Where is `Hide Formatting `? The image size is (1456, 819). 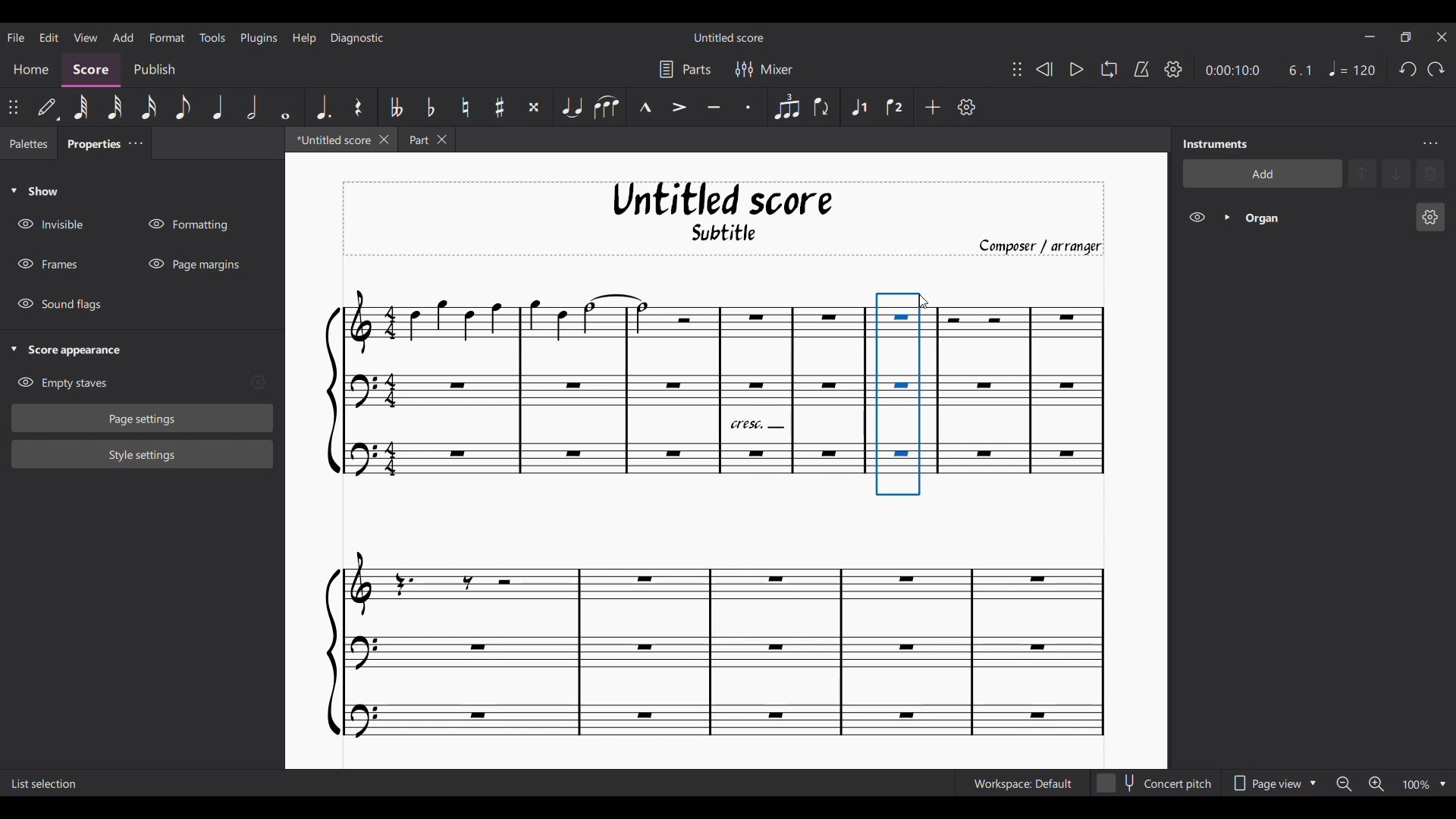 Hide Formatting  is located at coordinates (187, 224).